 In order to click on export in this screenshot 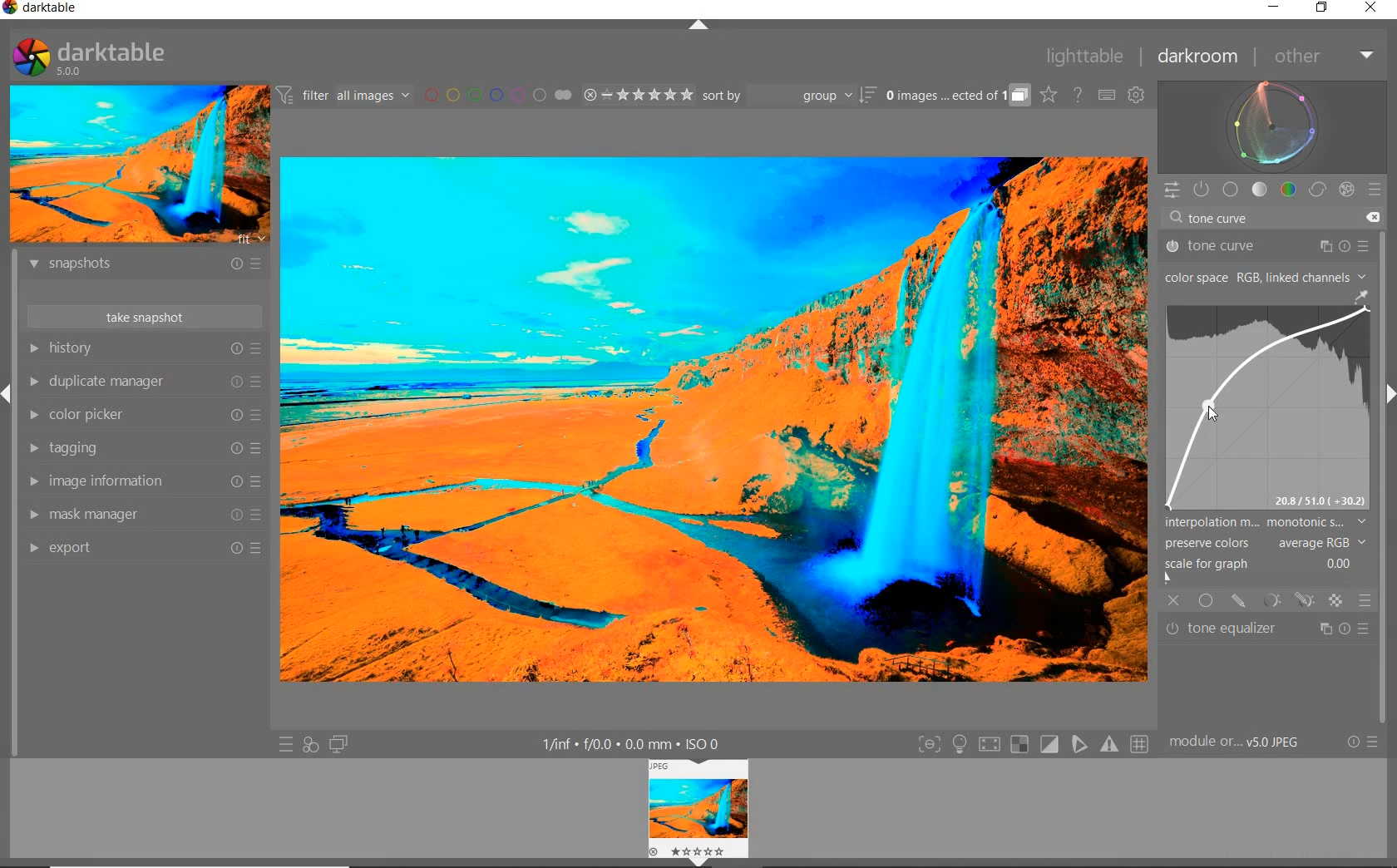, I will do `click(146, 550)`.